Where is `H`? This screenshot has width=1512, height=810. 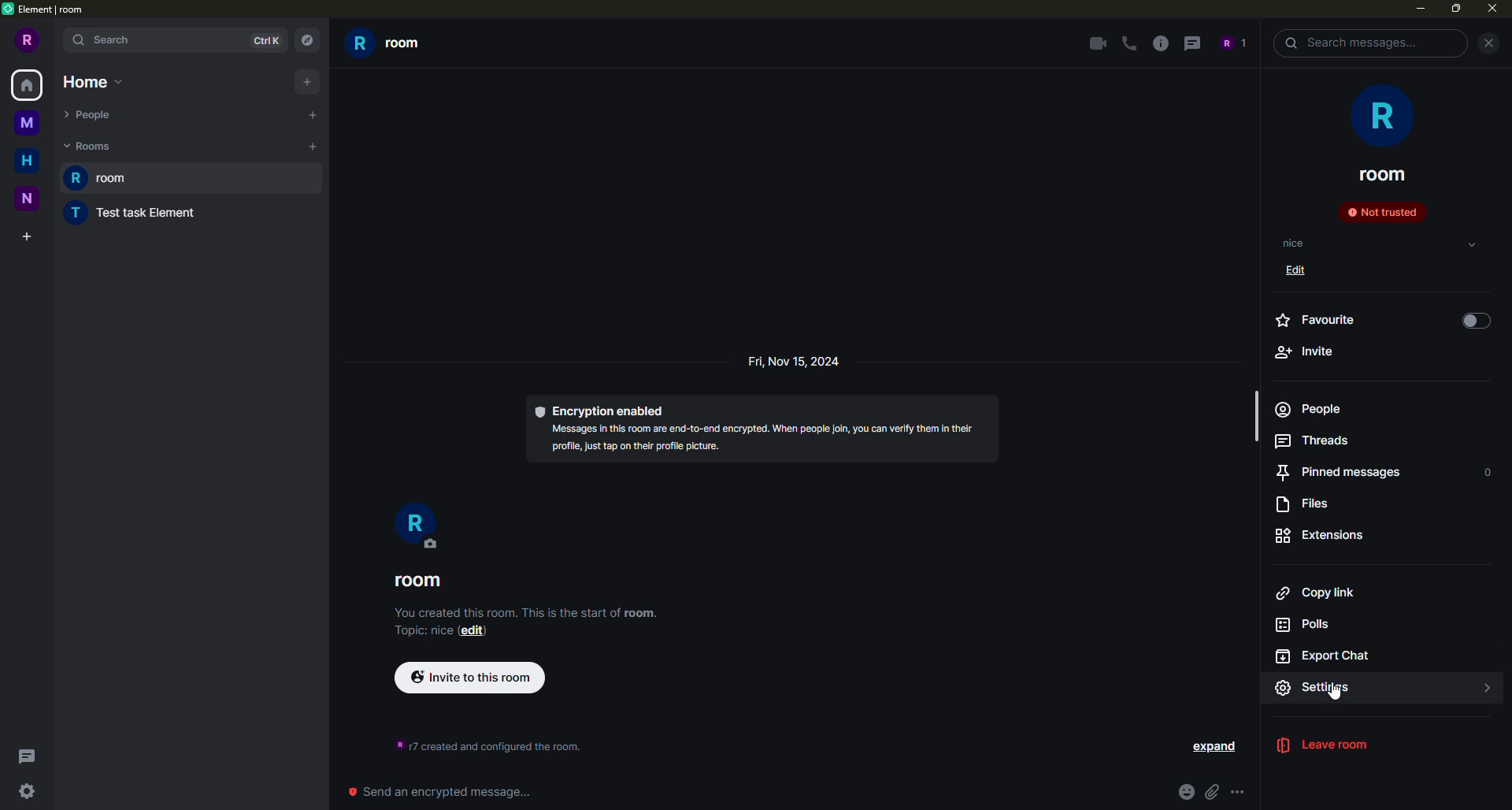 H is located at coordinates (26, 161).